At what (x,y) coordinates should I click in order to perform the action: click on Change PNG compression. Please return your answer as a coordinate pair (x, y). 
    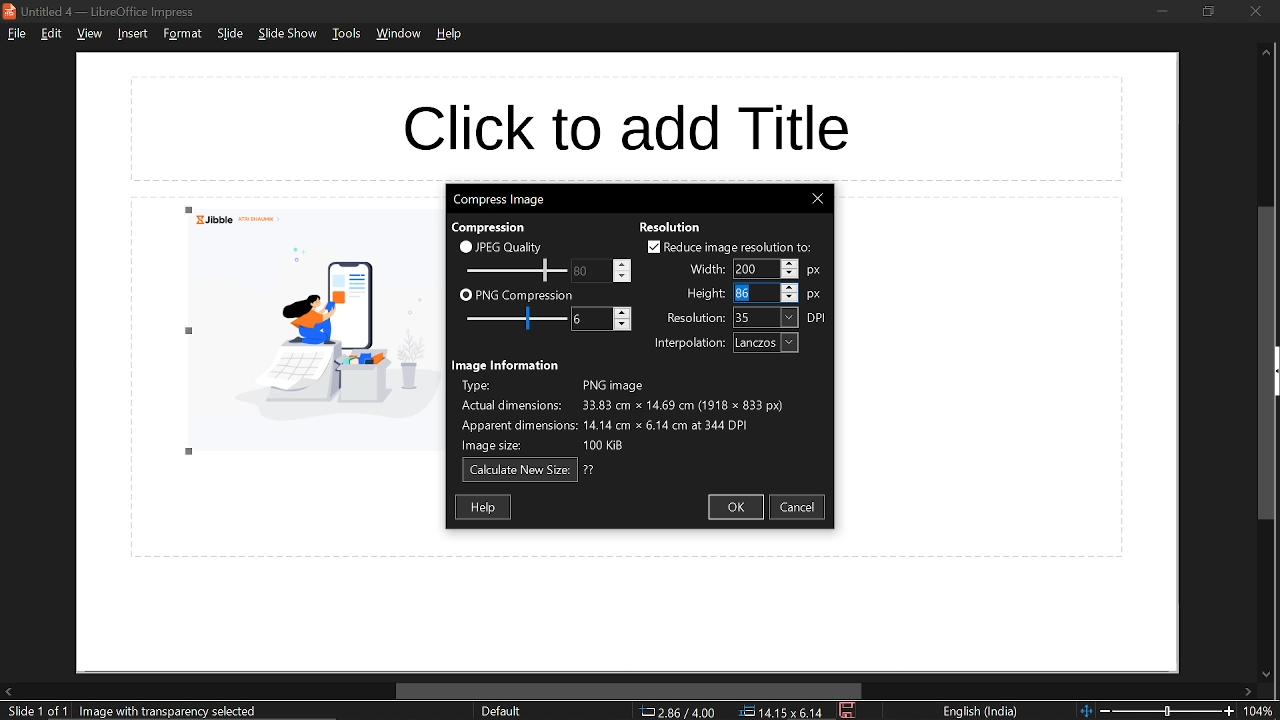
    Looking at the image, I should click on (591, 319).